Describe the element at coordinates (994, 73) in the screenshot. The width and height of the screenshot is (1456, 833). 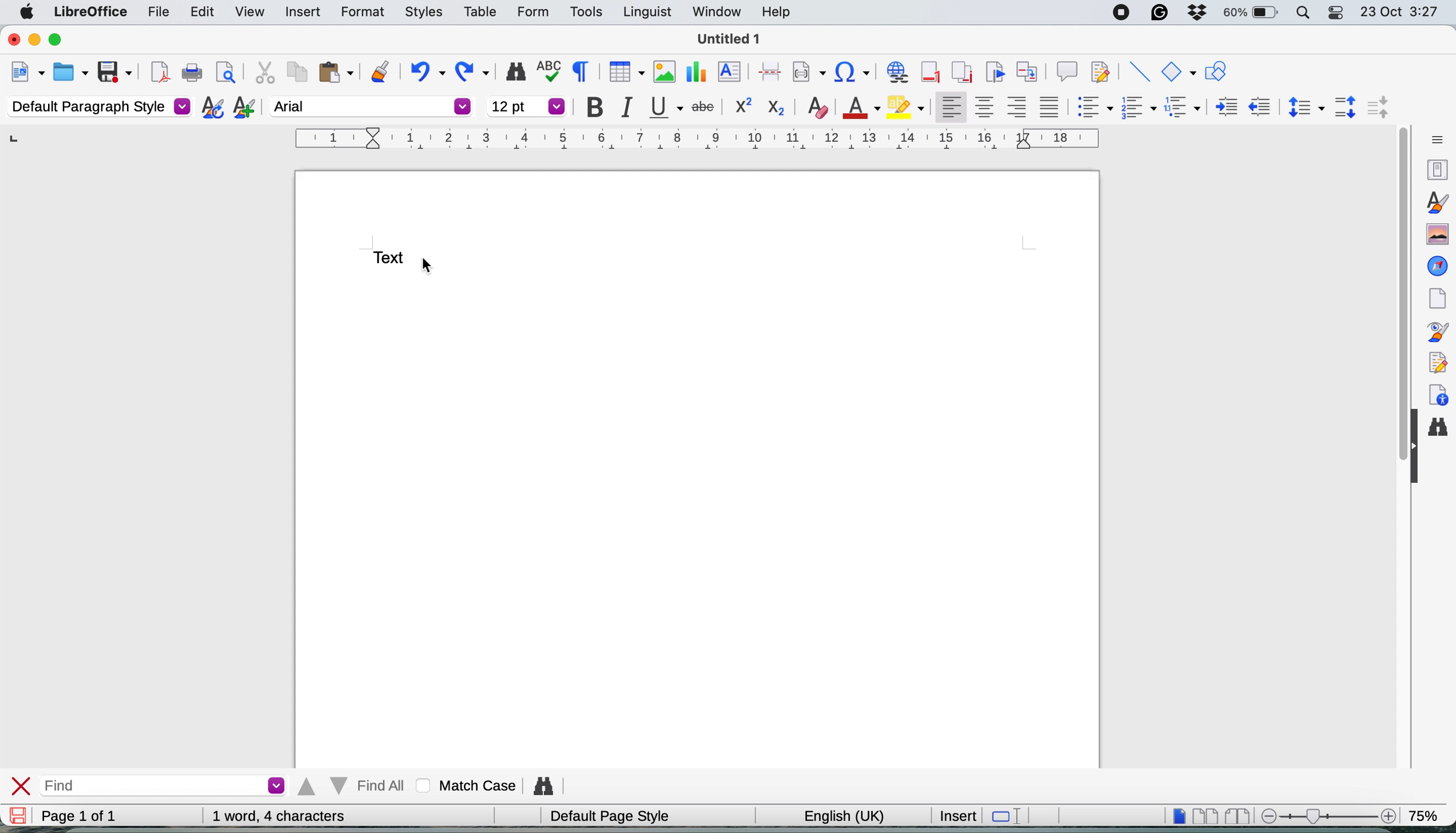
I see `insert bookmark` at that location.